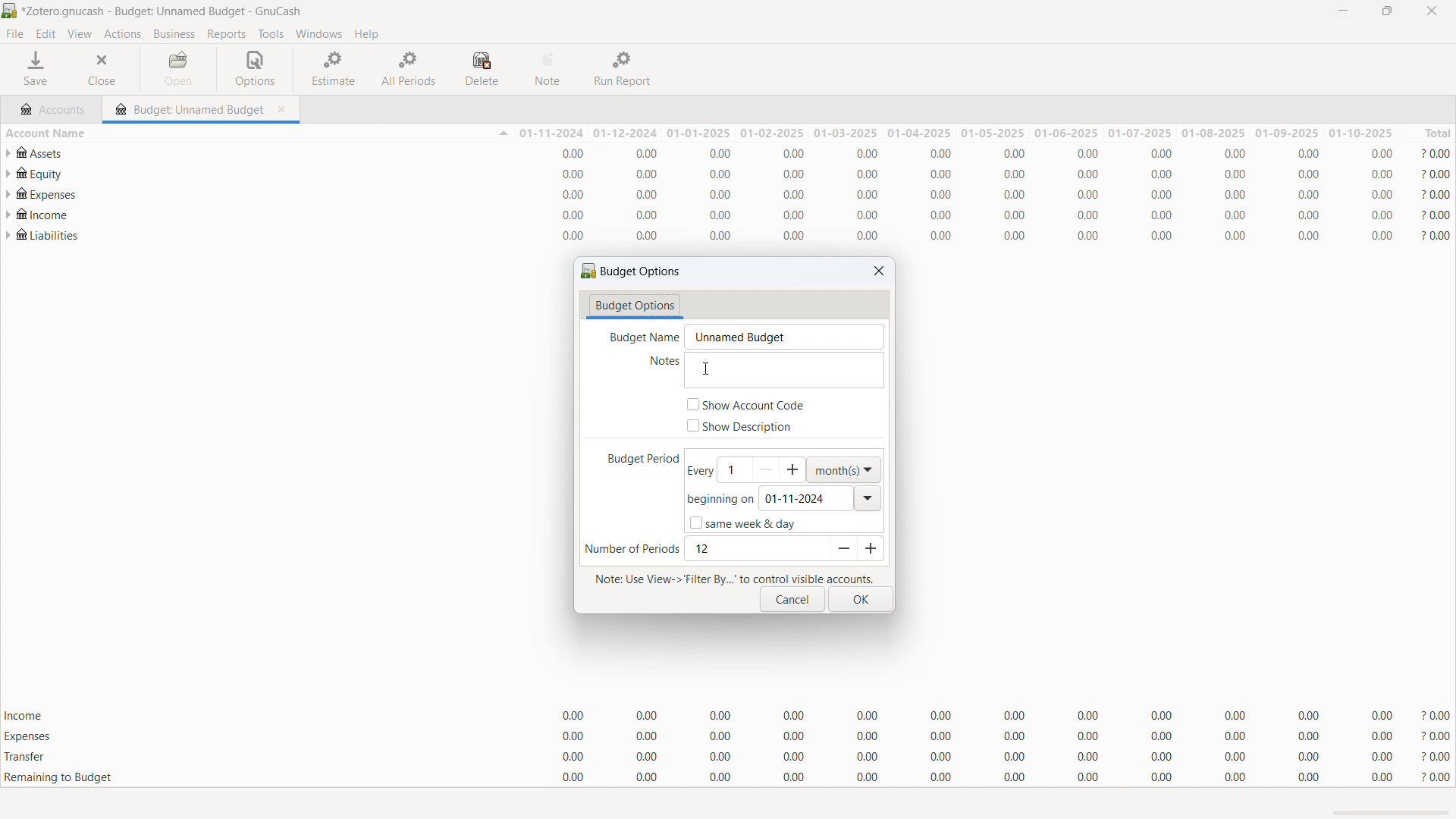 The height and width of the screenshot is (819, 1456). I want to click on 01-07-2025, so click(1140, 133).